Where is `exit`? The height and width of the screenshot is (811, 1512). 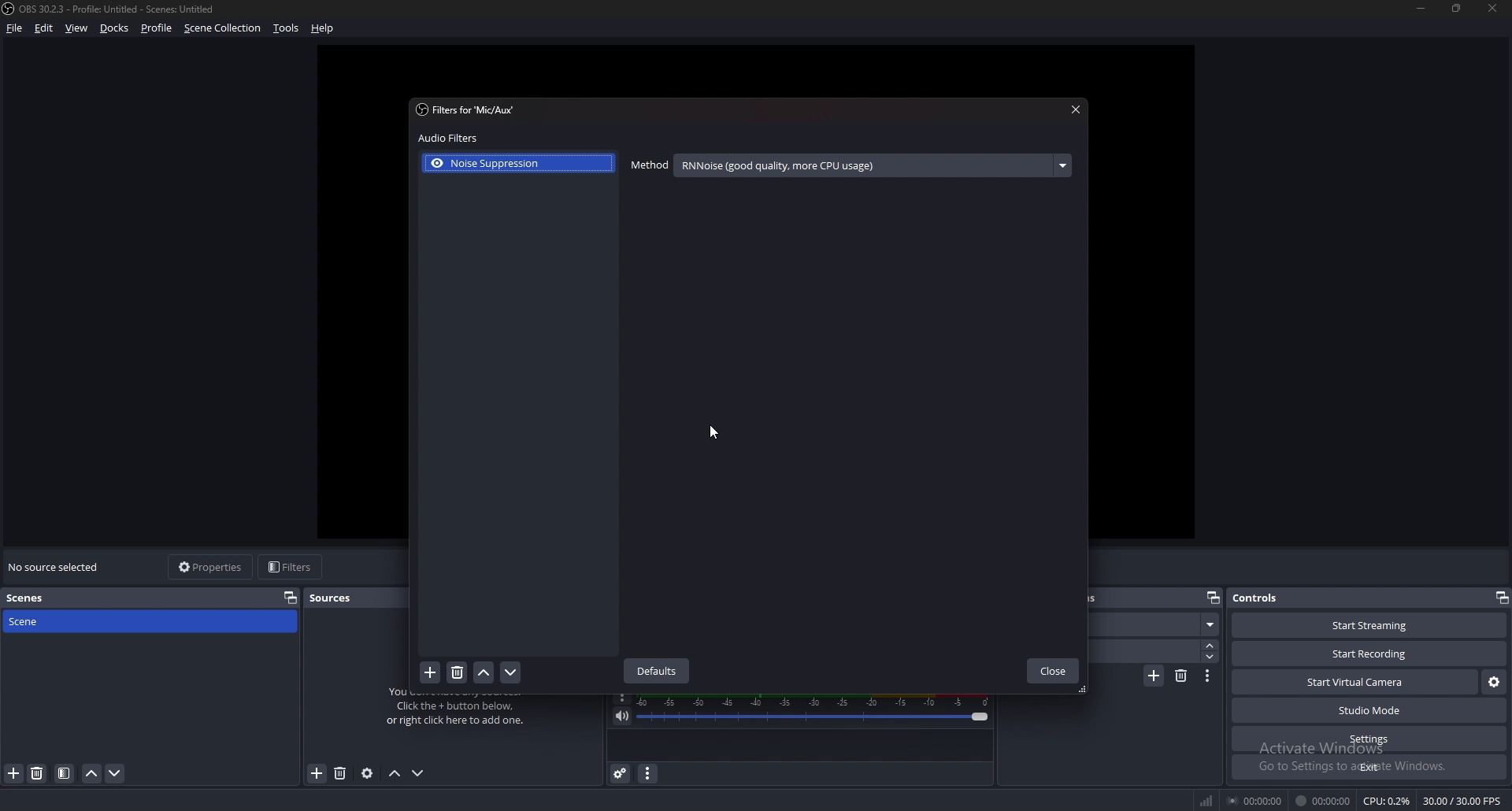 exit is located at coordinates (1368, 768).